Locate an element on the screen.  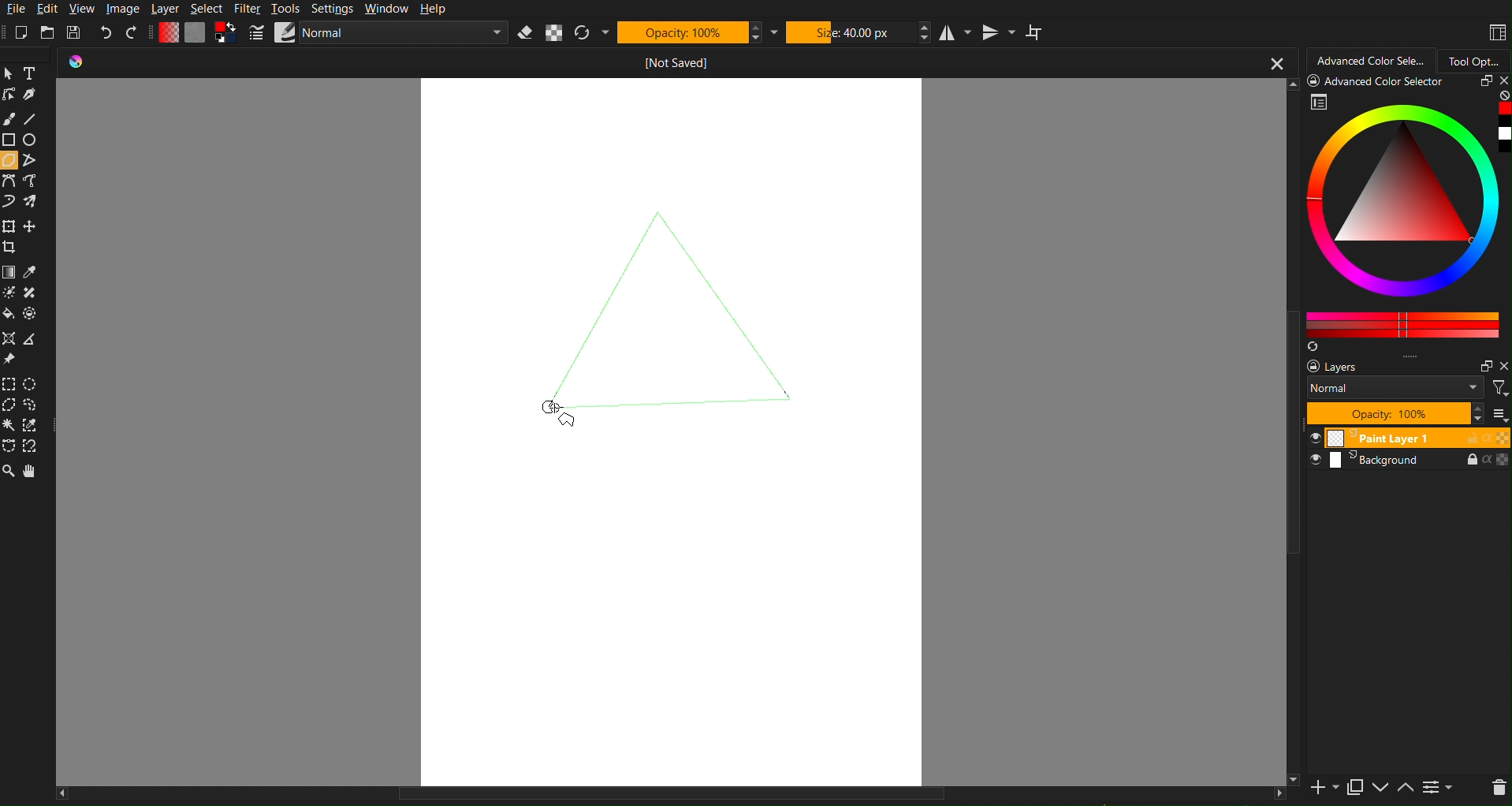
Save is located at coordinates (76, 32).